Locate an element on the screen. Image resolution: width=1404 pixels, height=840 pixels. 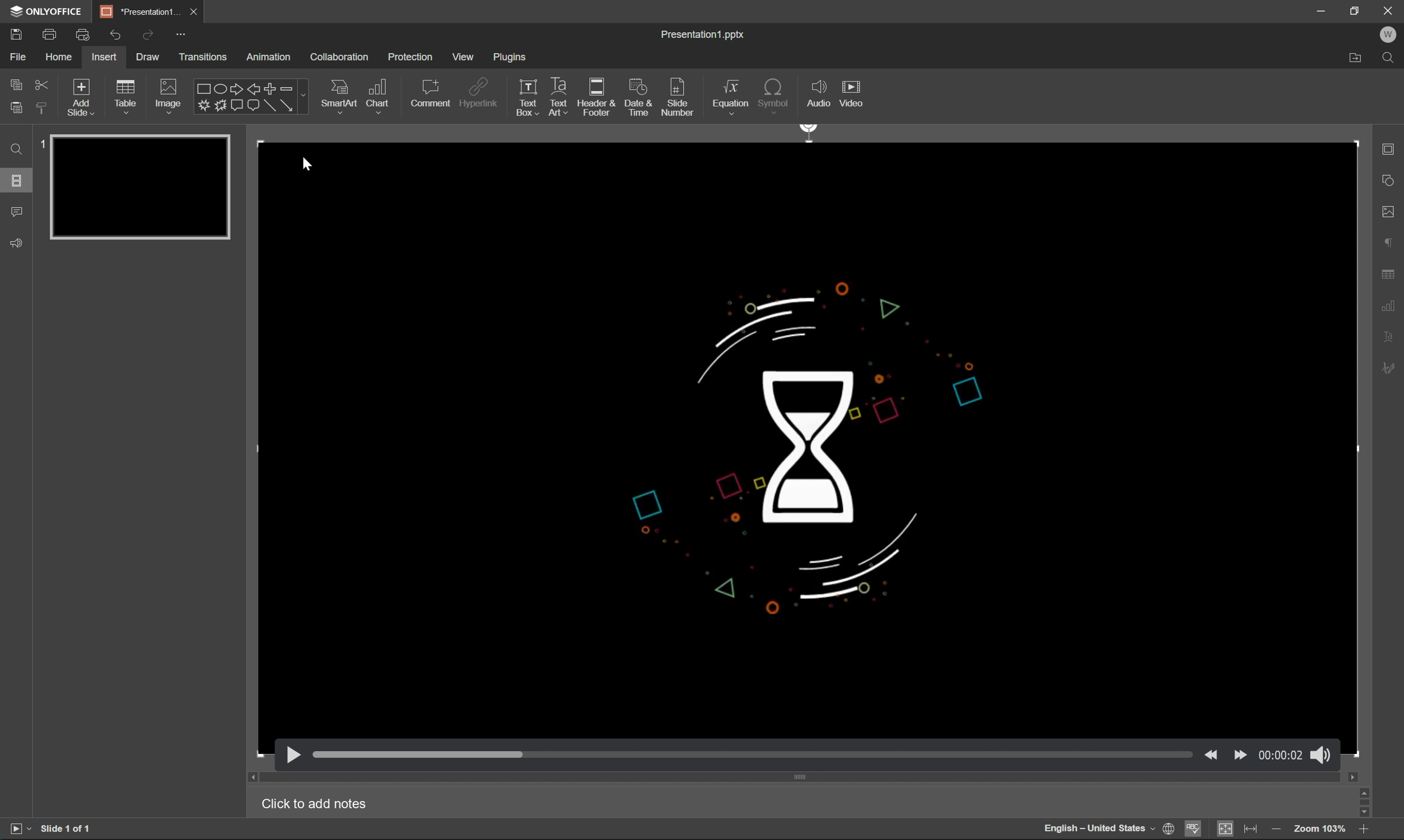
draw is located at coordinates (148, 56).